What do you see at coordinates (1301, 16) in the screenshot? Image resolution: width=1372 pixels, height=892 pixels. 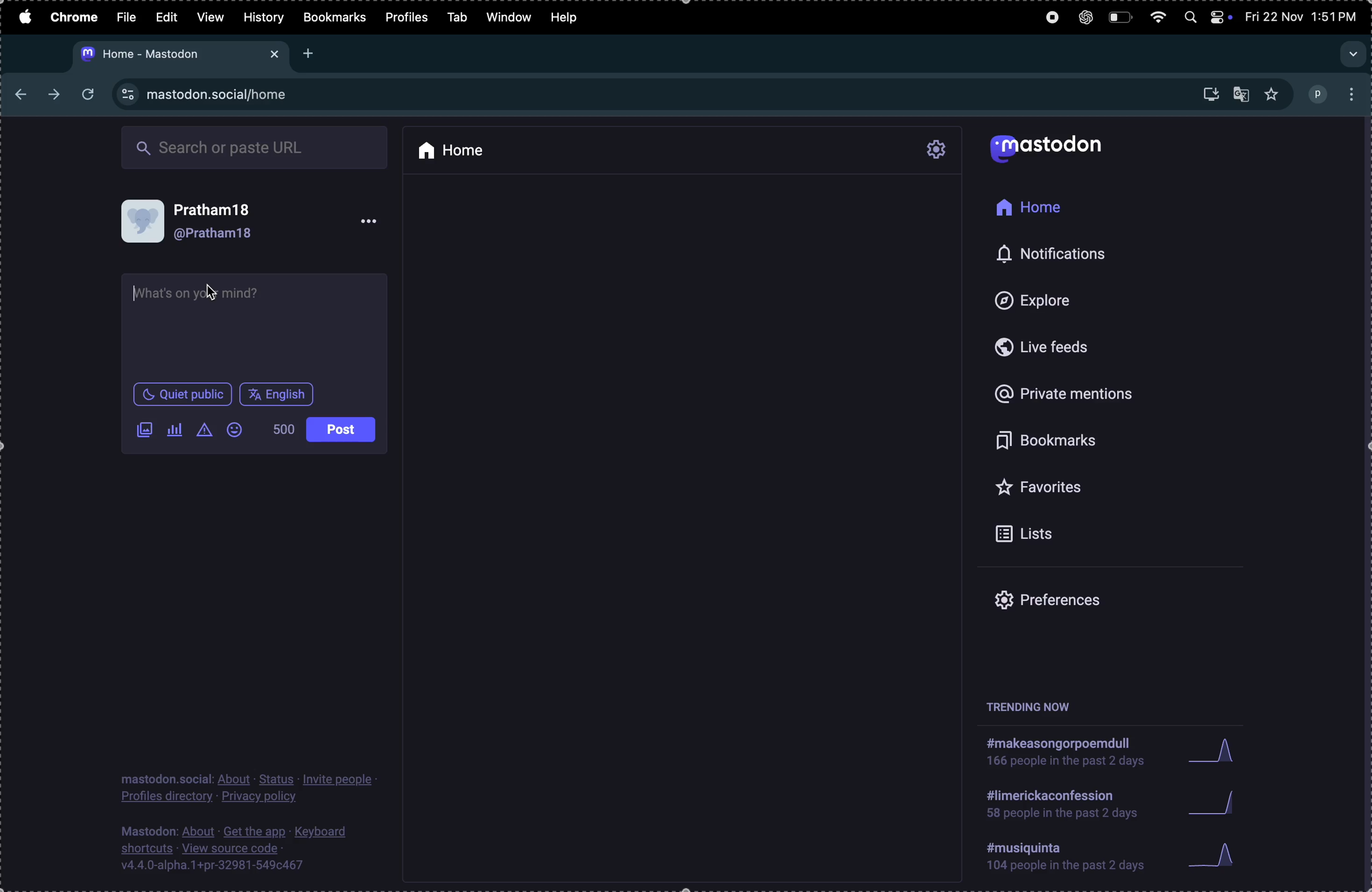 I see `date and time` at bounding box center [1301, 16].